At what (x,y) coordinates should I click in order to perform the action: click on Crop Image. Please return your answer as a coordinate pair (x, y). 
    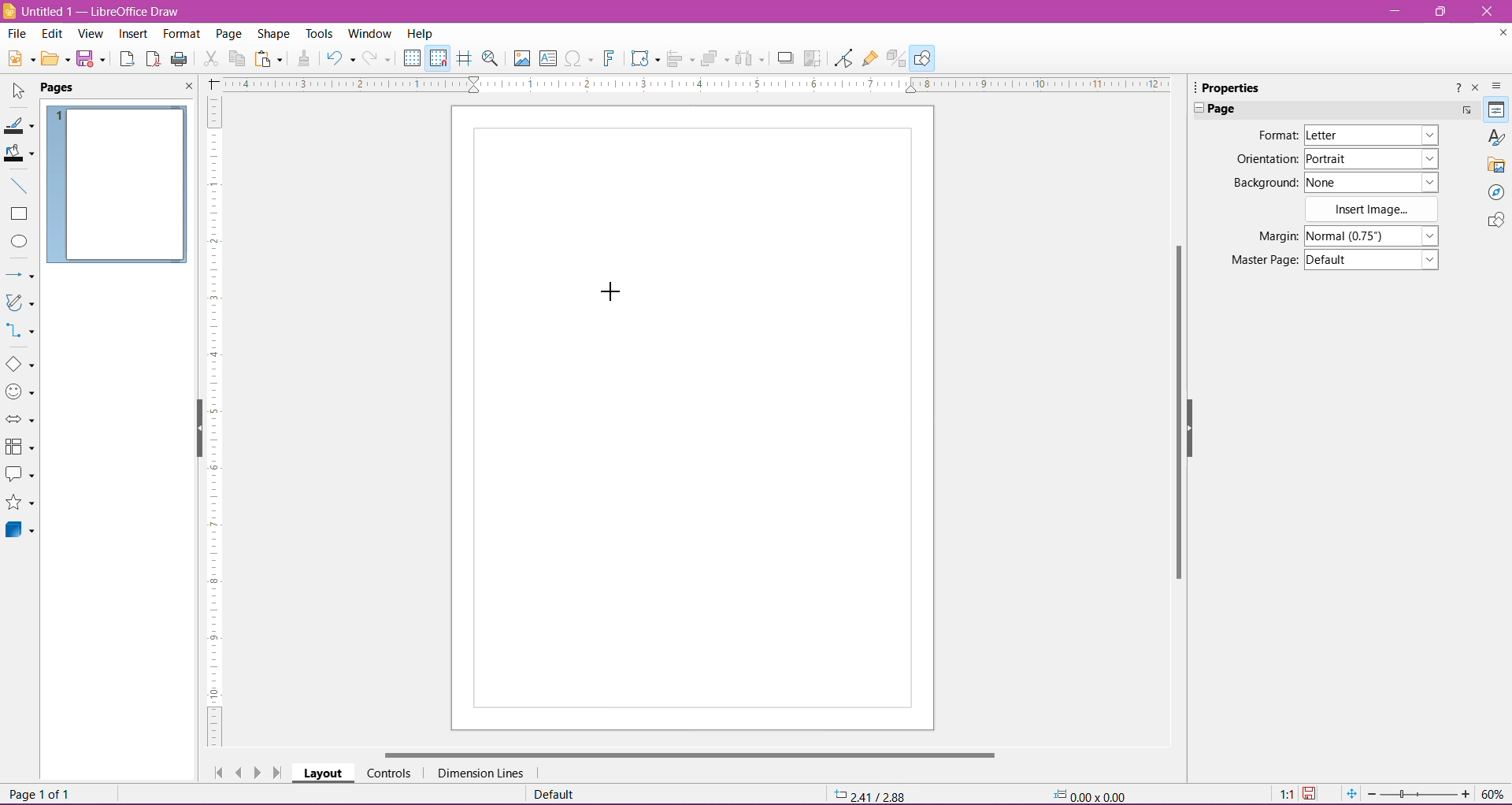
    Looking at the image, I should click on (813, 58).